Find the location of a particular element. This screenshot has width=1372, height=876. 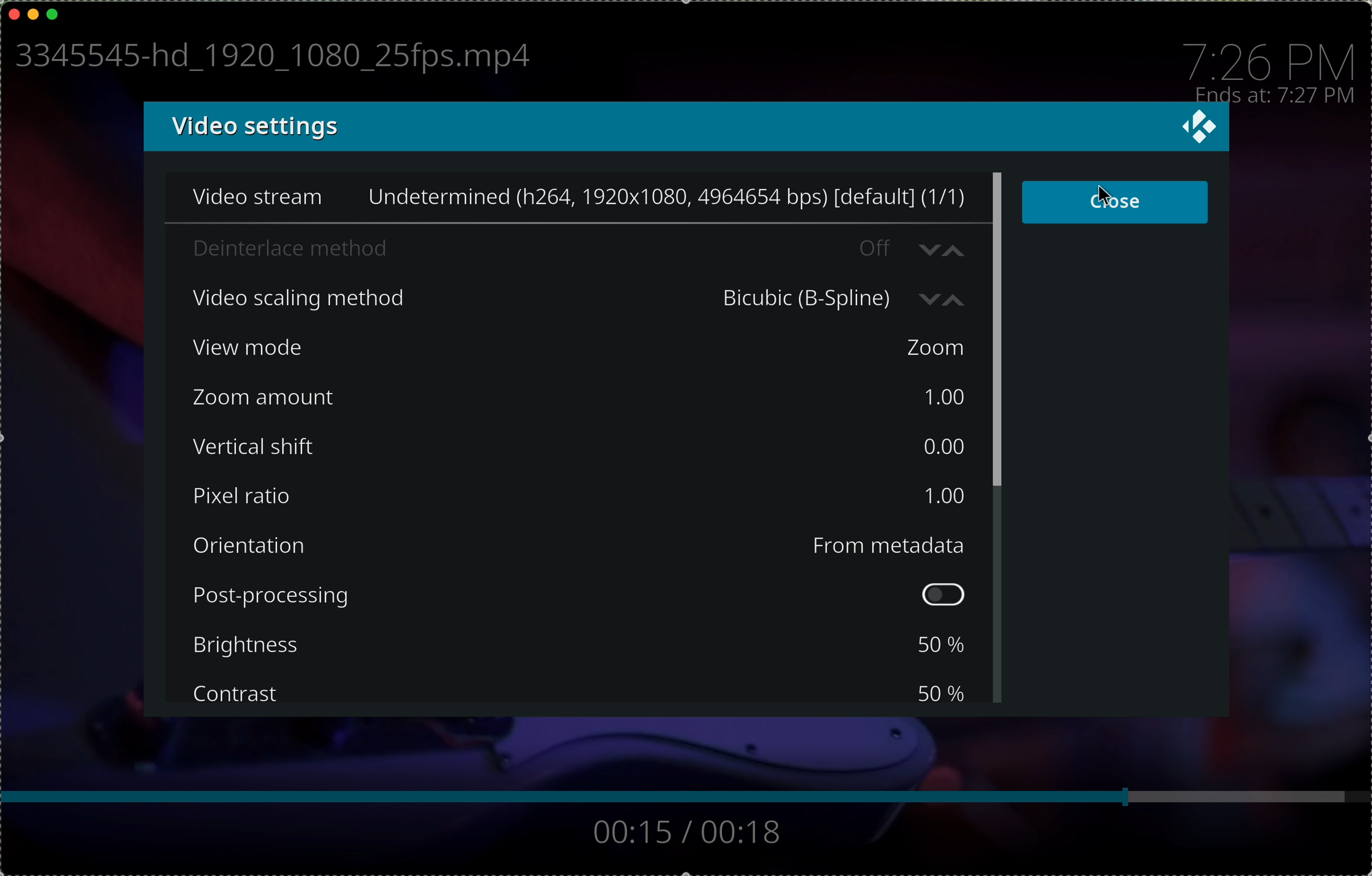

video settings is located at coordinates (252, 126).